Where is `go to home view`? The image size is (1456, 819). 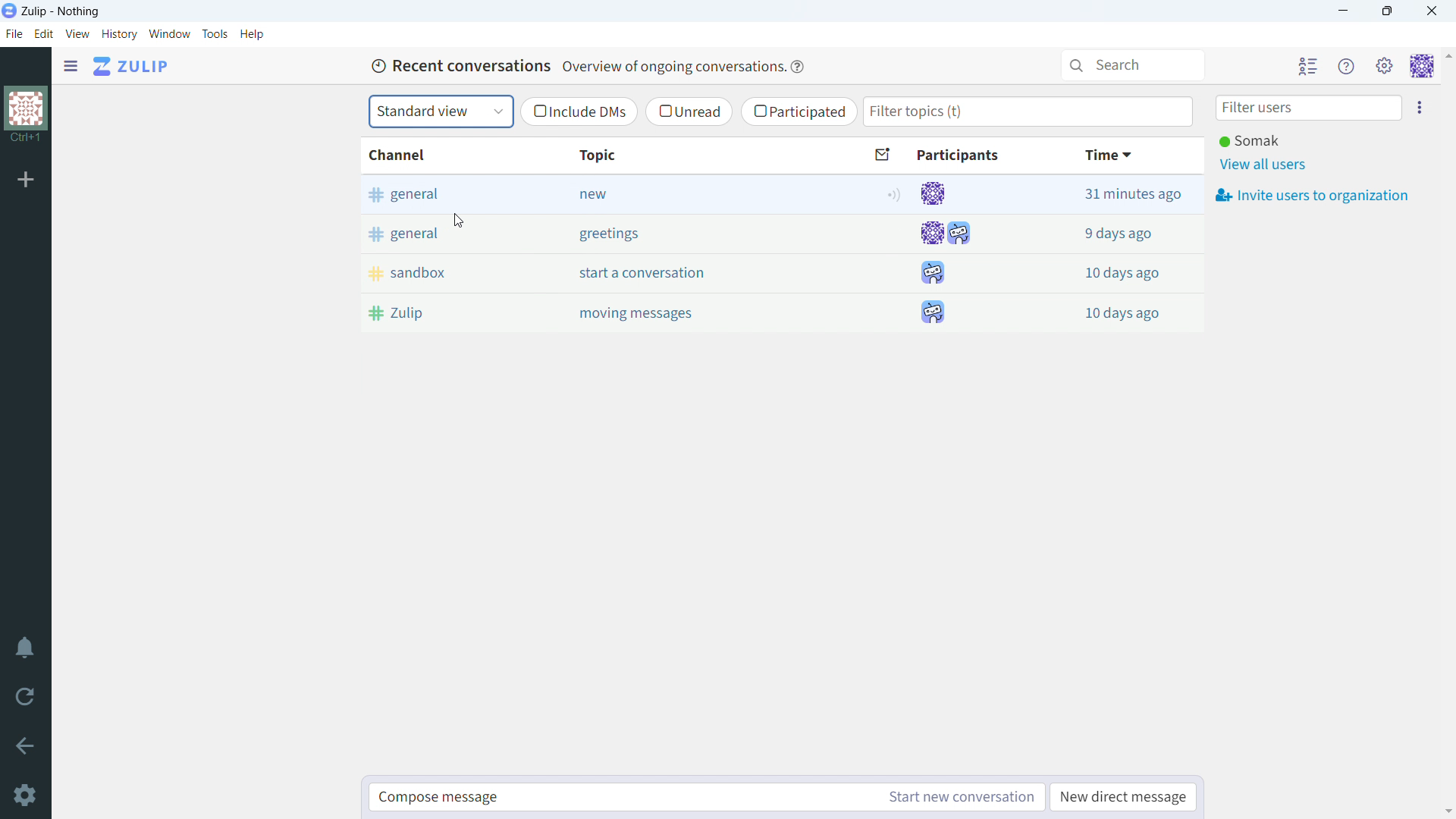 go to home view is located at coordinates (133, 66).